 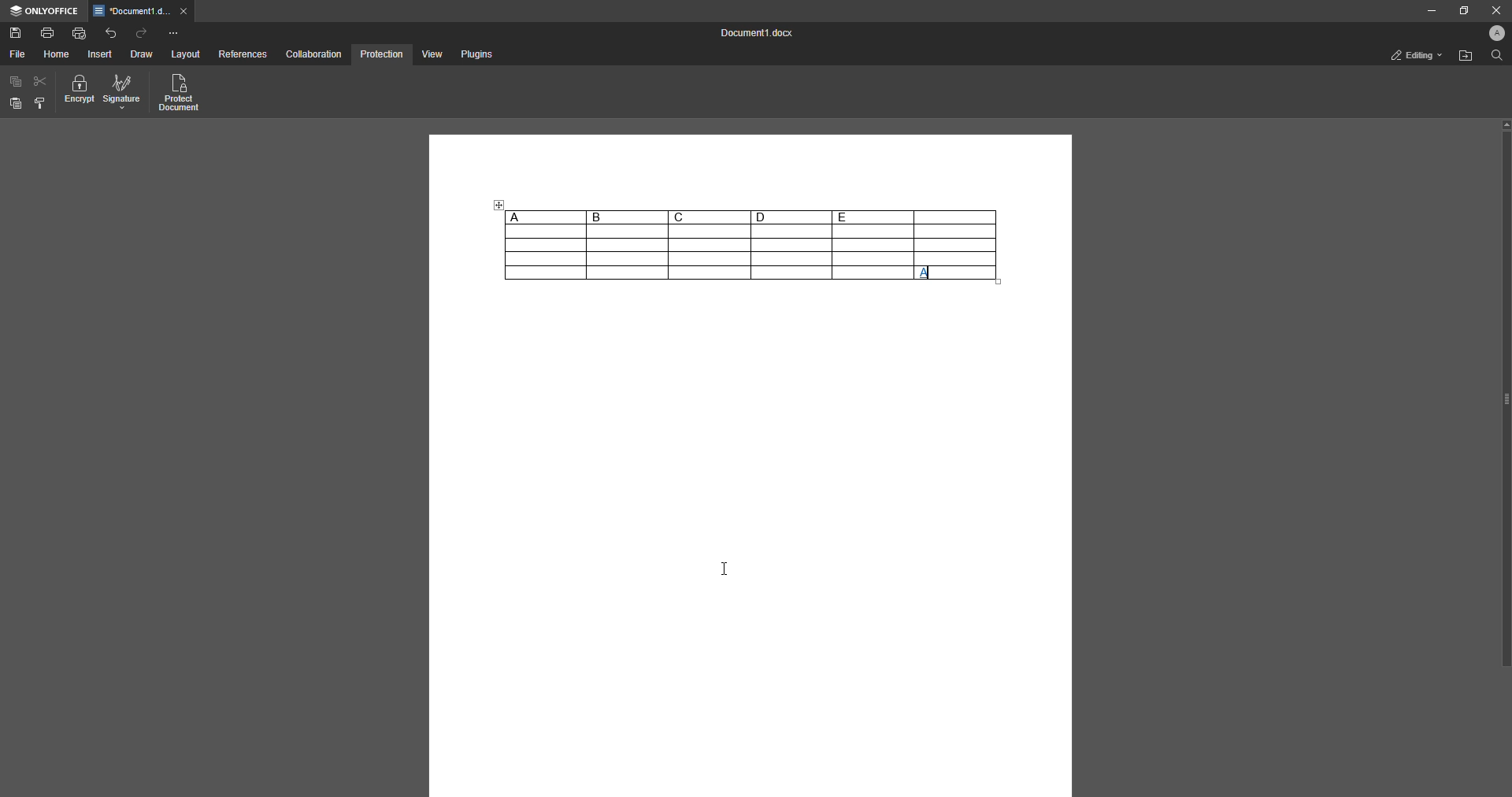 I want to click on Minimize, so click(x=1426, y=11).